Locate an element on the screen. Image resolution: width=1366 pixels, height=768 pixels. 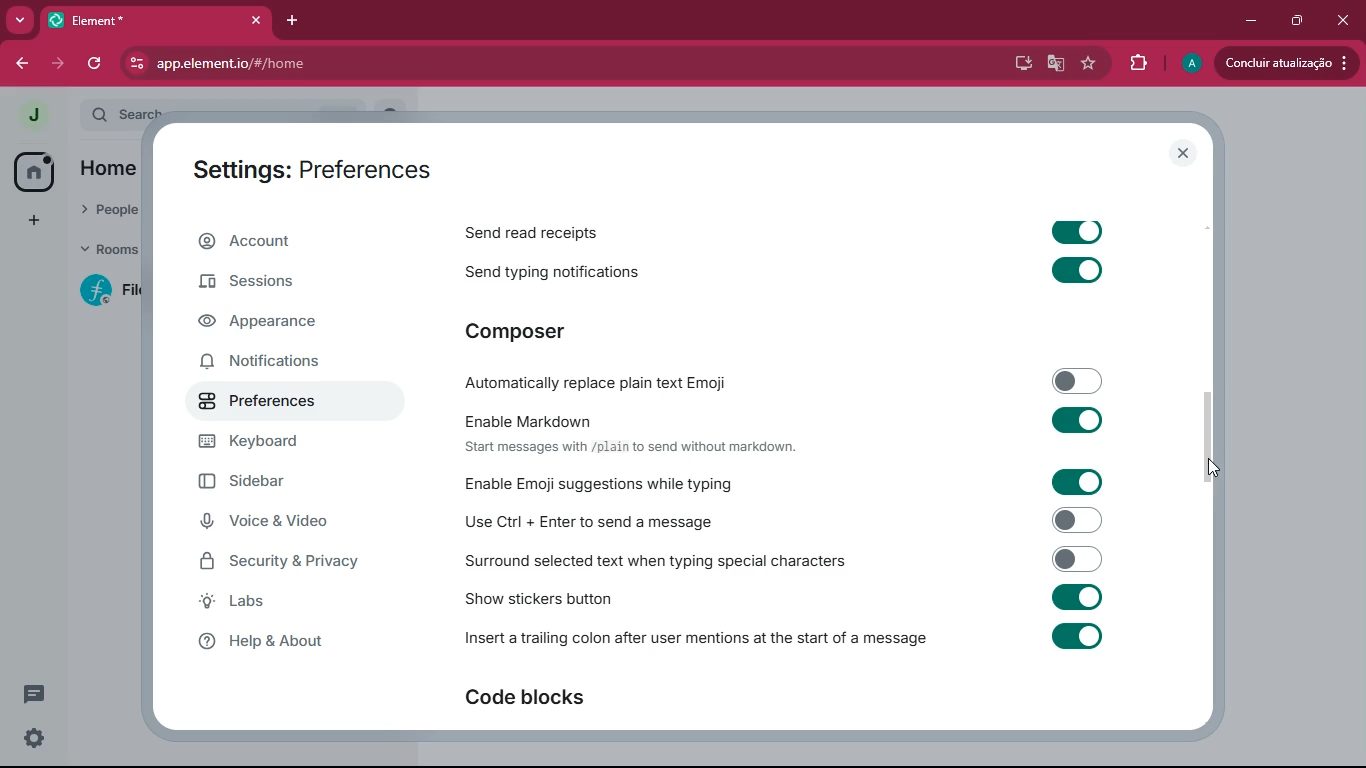
‘Start messages with /plain to send without markdown. is located at coordinates (647, 449).